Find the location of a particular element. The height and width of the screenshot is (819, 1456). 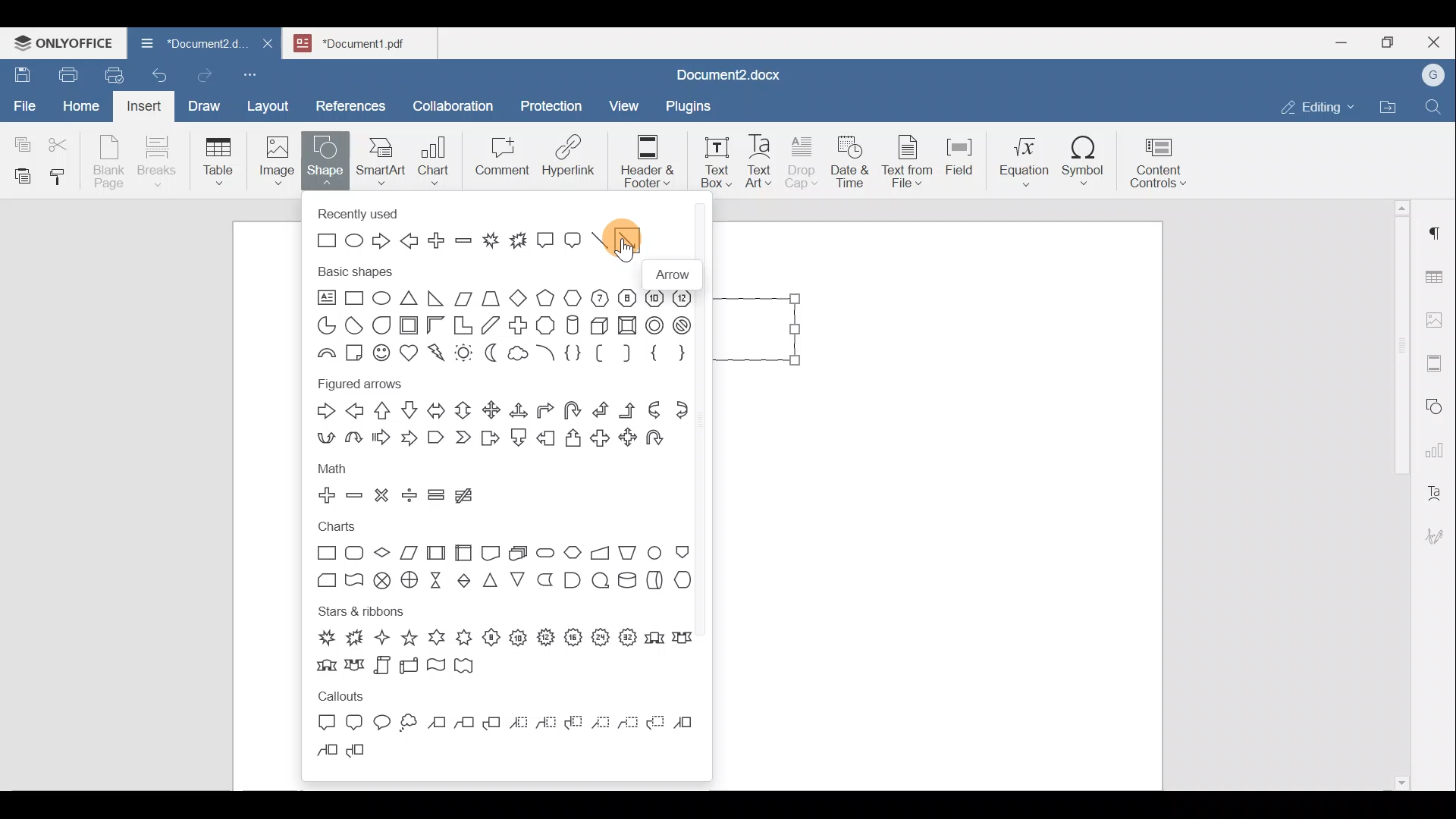

Callouts is located at coordinates (504, 726).